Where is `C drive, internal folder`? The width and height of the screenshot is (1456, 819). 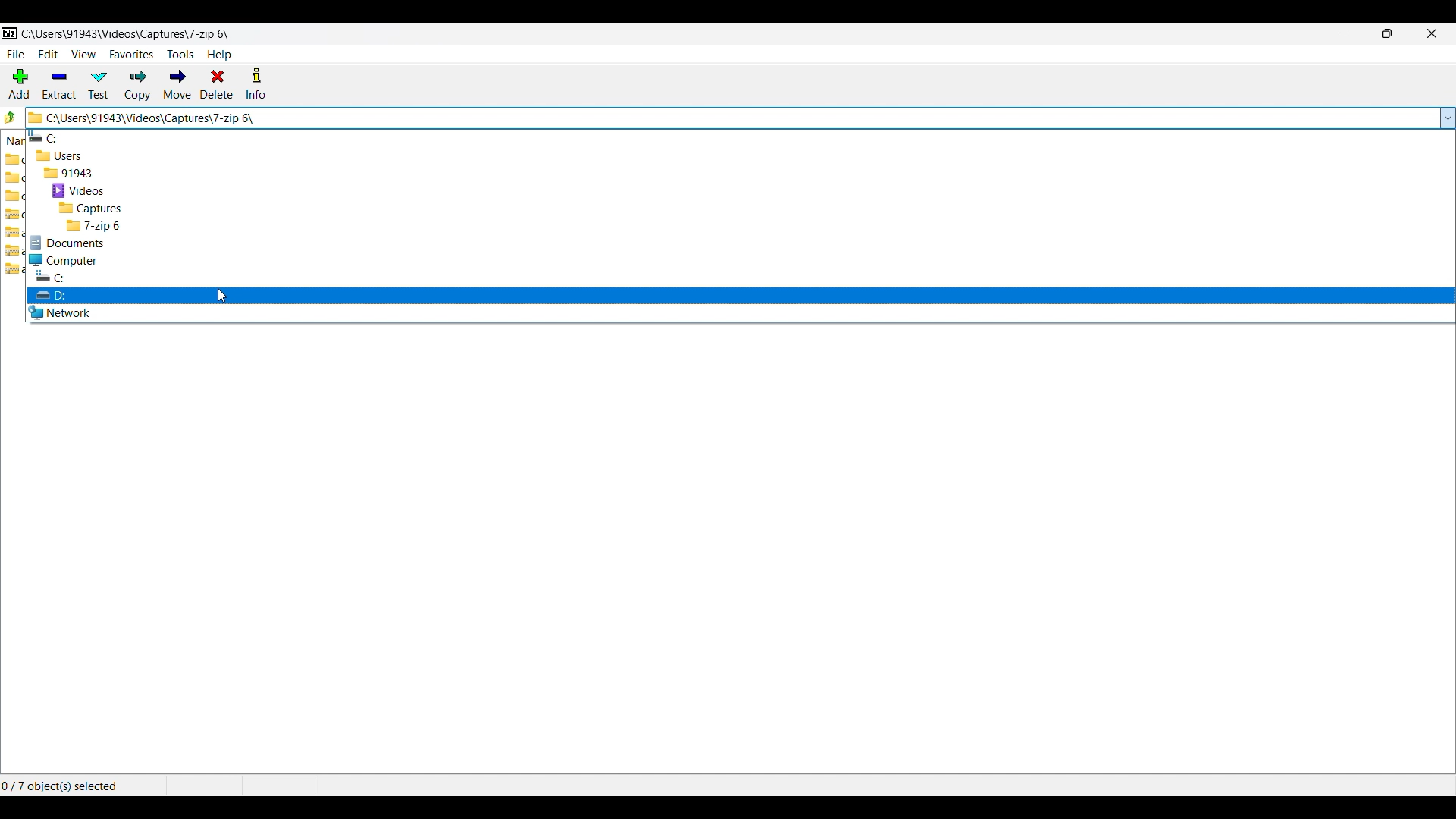 C drive, internal folder is located at coordinates (740, 276).